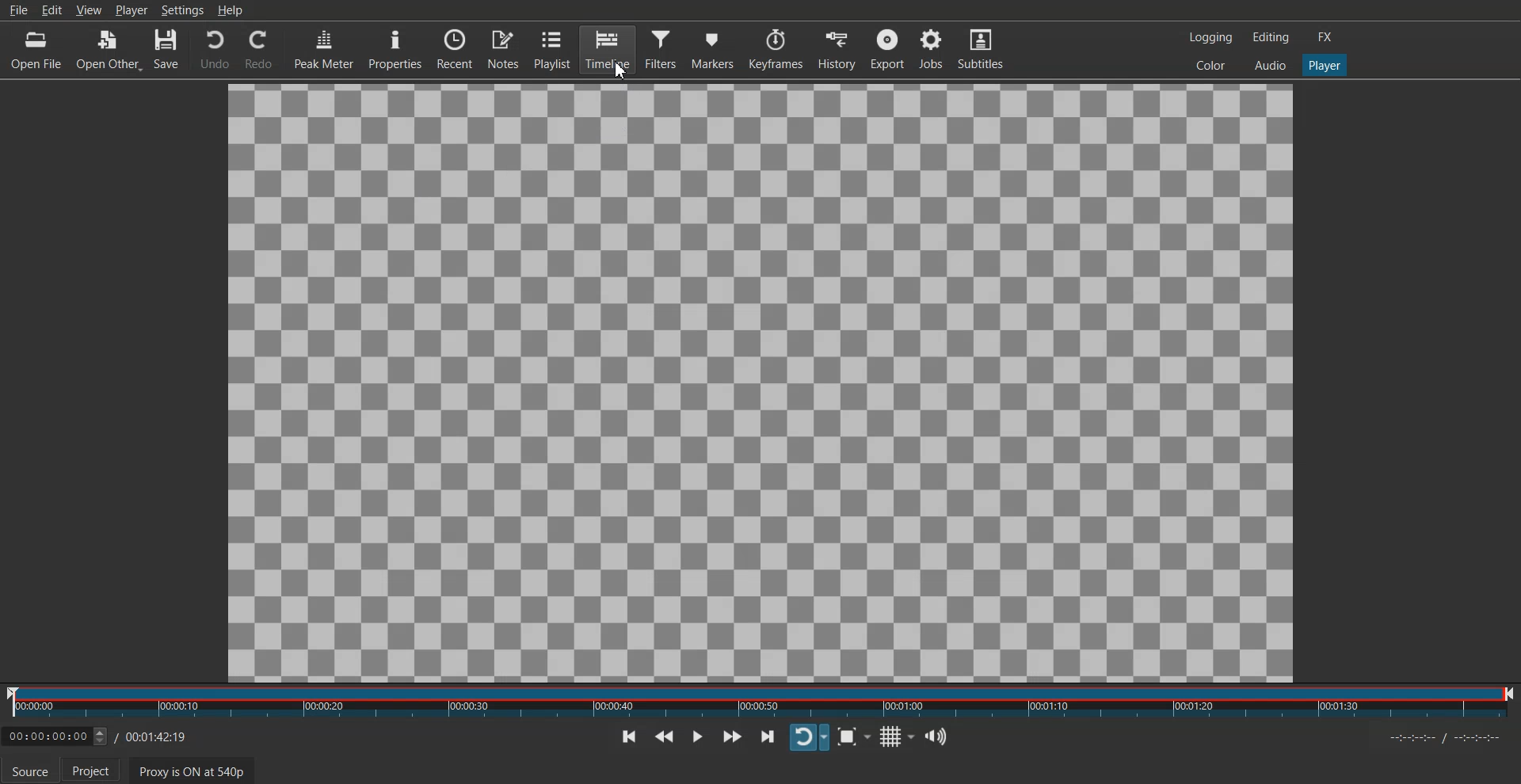  Describe the element at coordinates (324, 48) in the screenshot. I see `Peak Meter` at that location.